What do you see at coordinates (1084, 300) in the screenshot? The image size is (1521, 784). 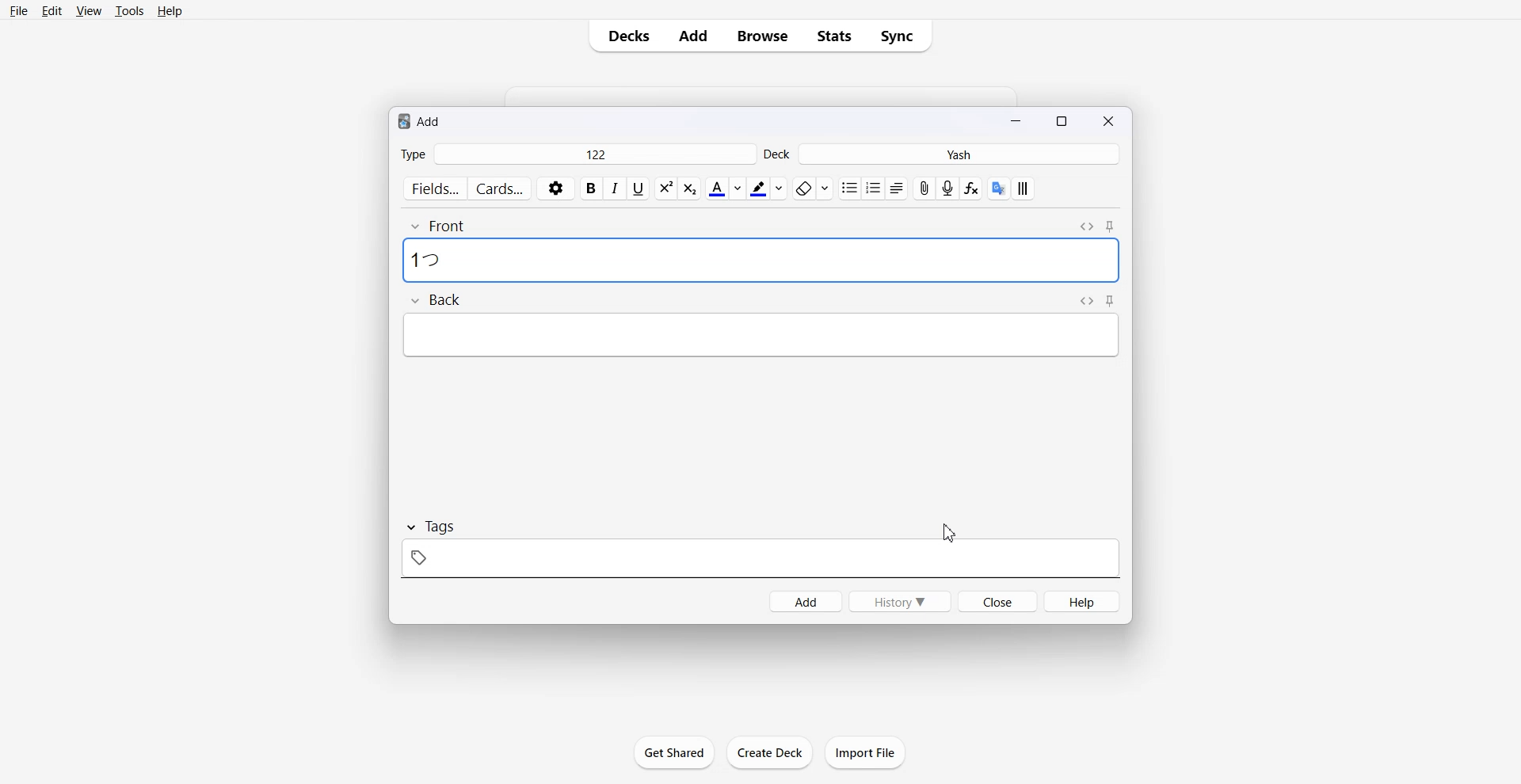 I see `Toggle HTML Editor` at bounding box center [1084, 300].